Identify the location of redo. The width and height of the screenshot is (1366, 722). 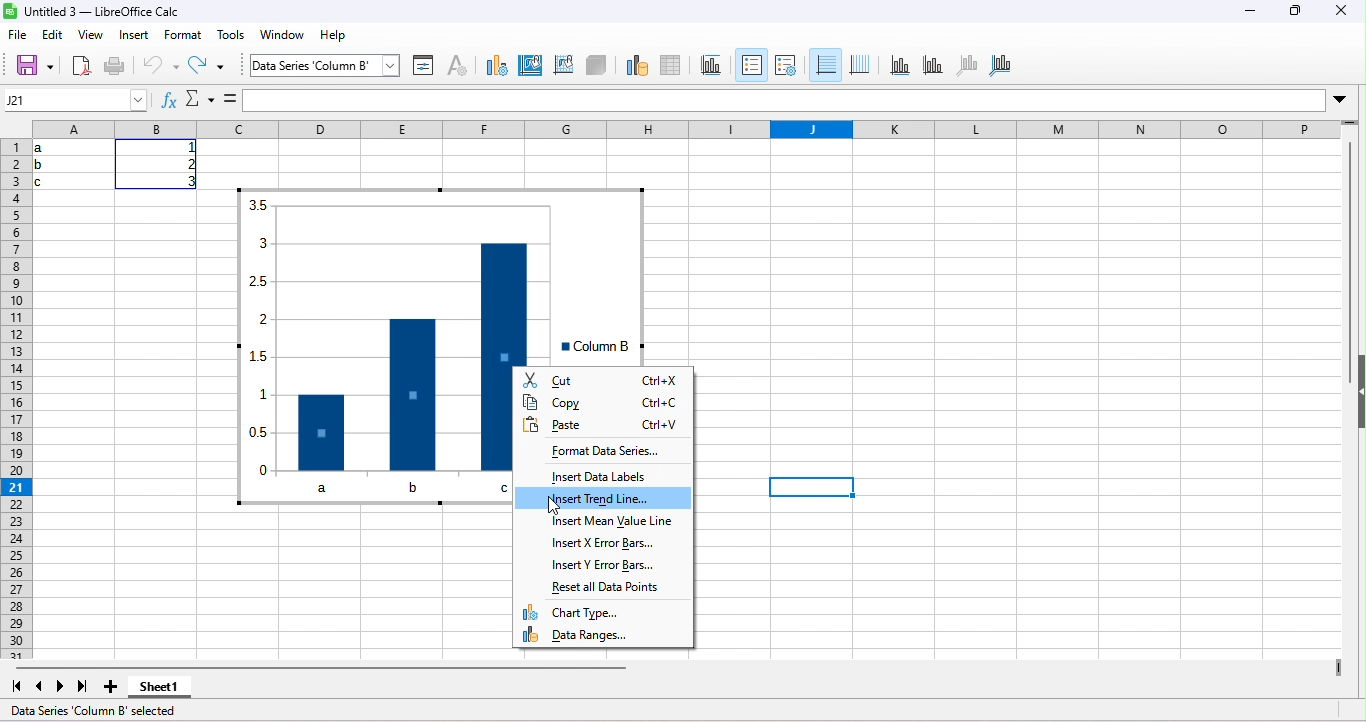
(216, 64).